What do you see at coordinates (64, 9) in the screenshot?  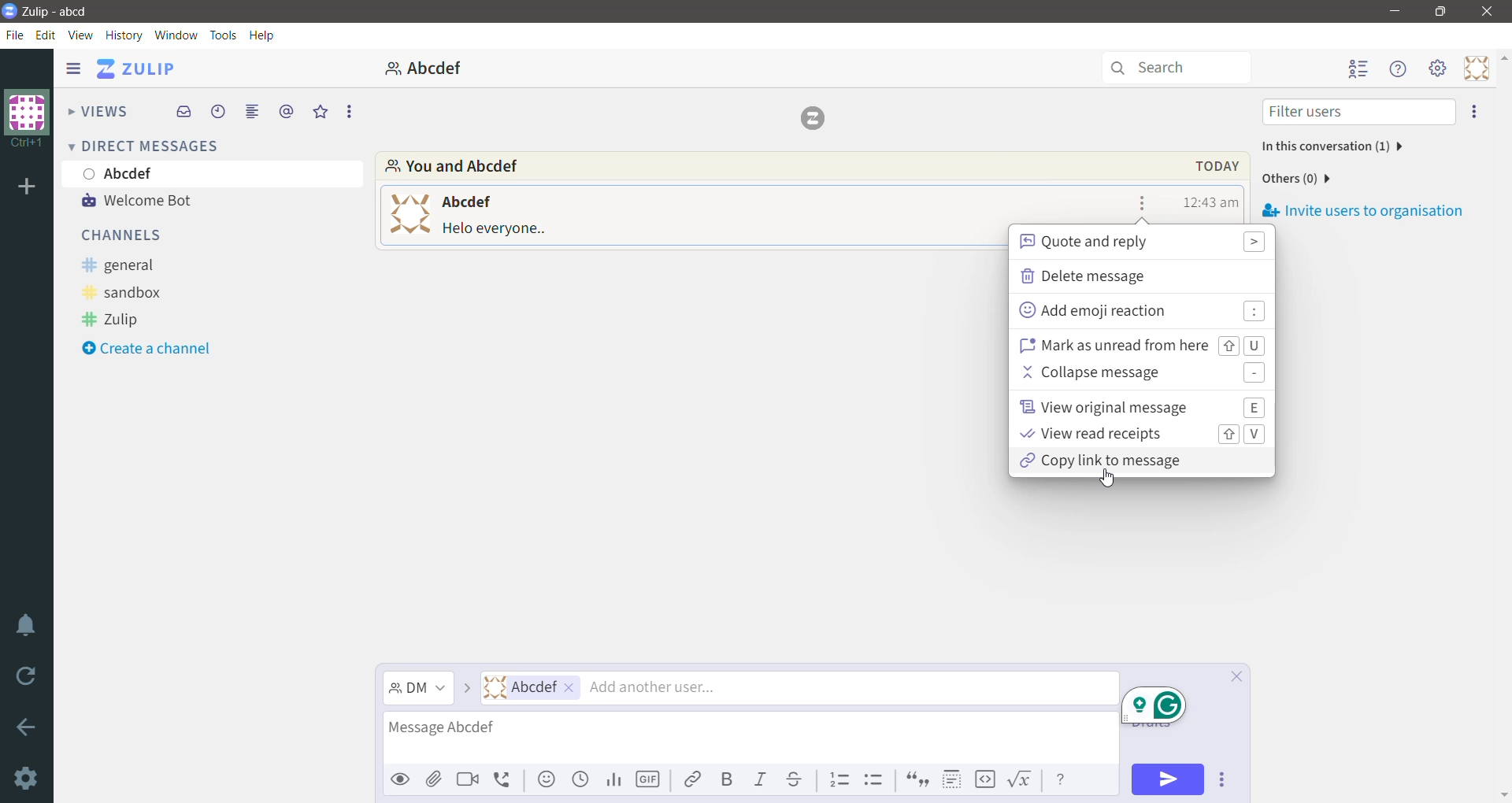 I see `Application Name - Organization Name` at bounding box center [64, 9].